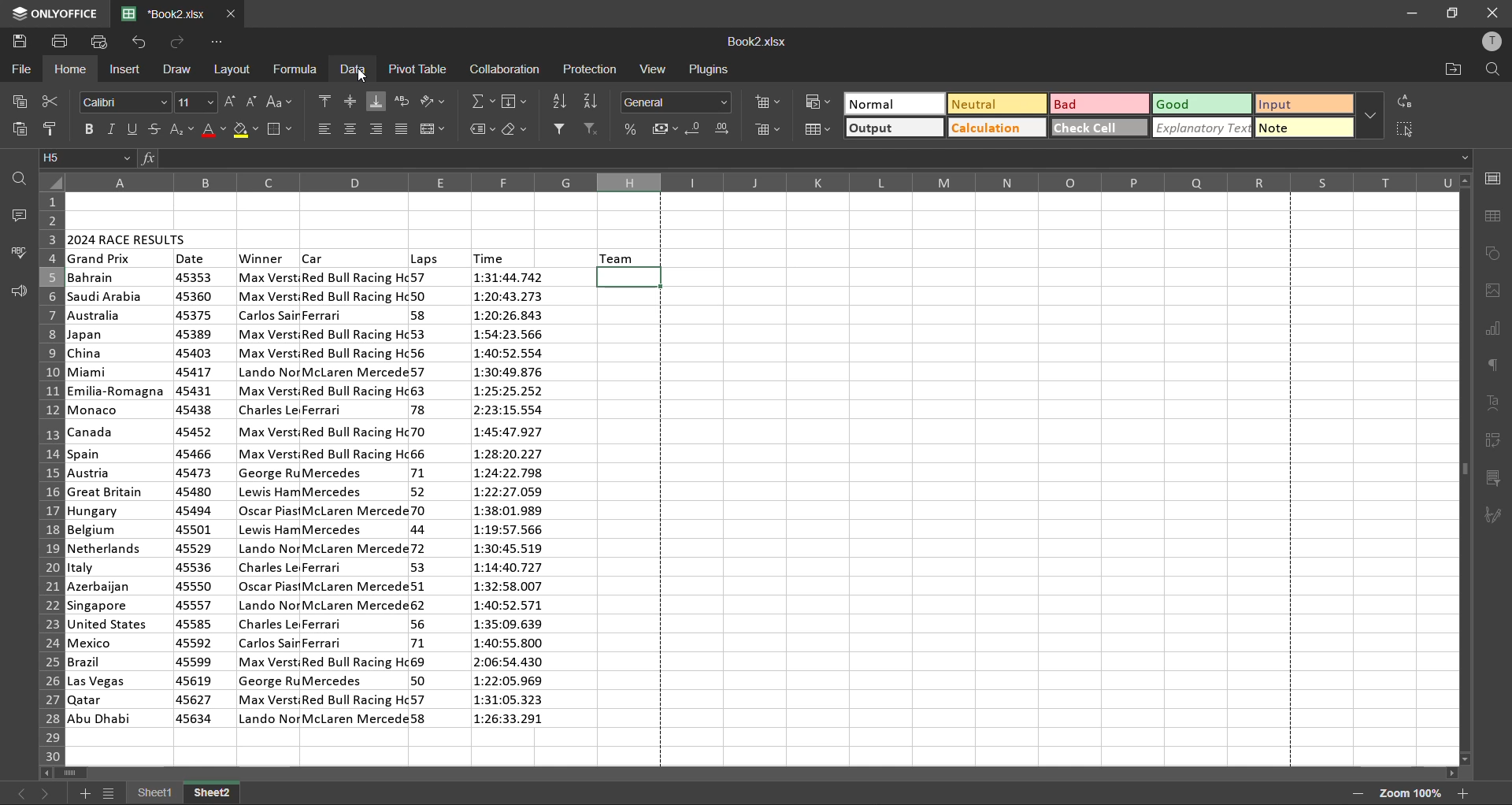  What do you see at coordinates (19, 69) in the screenshot?
I see `file` at bounding box center [19, 69].